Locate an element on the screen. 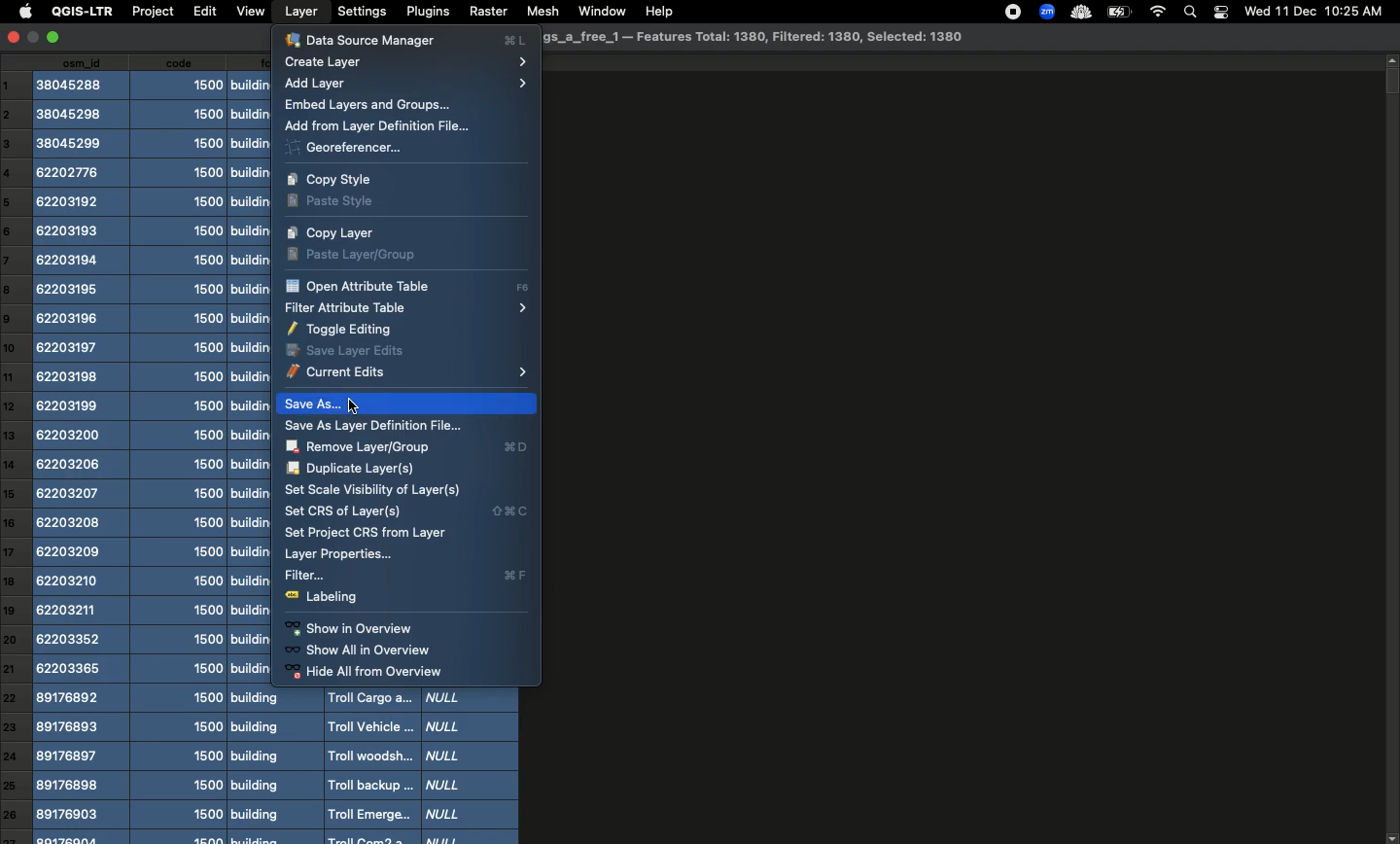 The width and height of the screenshot is (1400, 844). Data source manager is located at coordinates (406, 39).